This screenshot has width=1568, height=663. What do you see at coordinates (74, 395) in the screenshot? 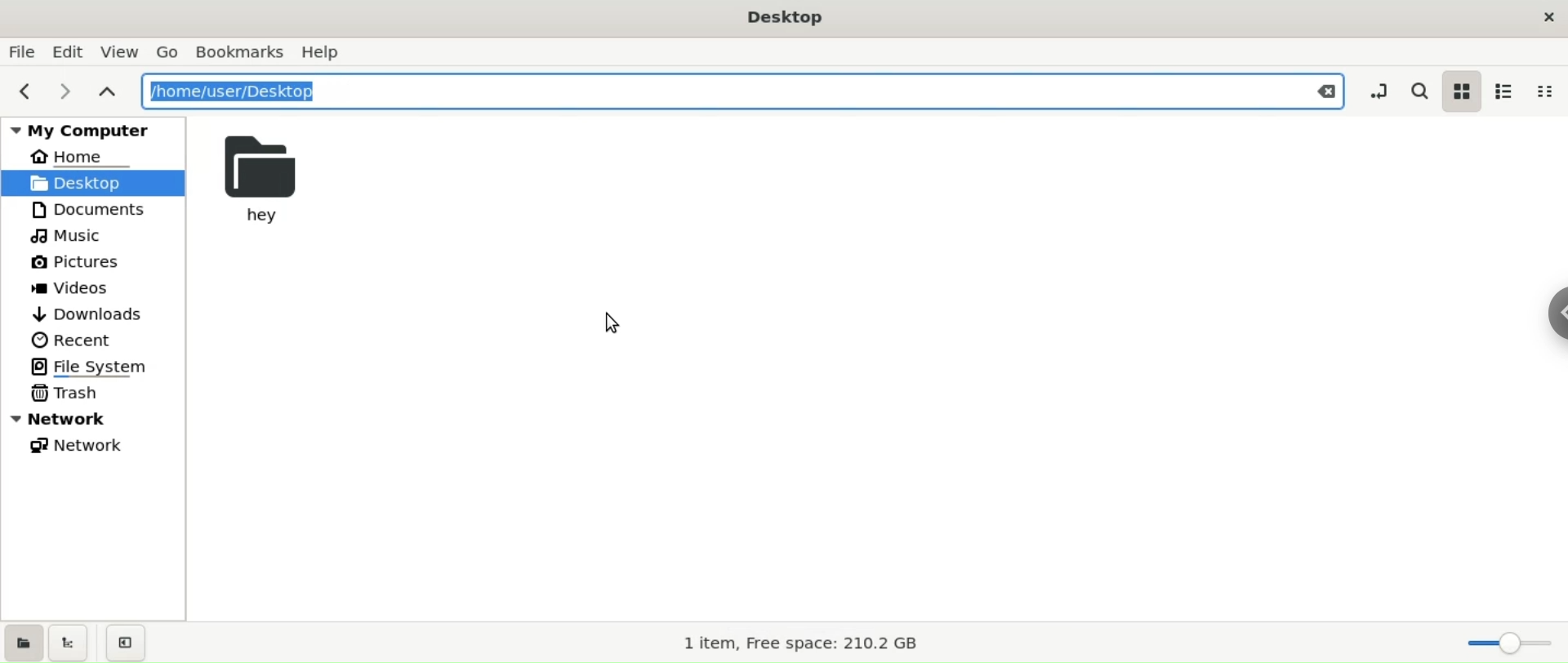
I see `trash` at bounding box center [74, 395].